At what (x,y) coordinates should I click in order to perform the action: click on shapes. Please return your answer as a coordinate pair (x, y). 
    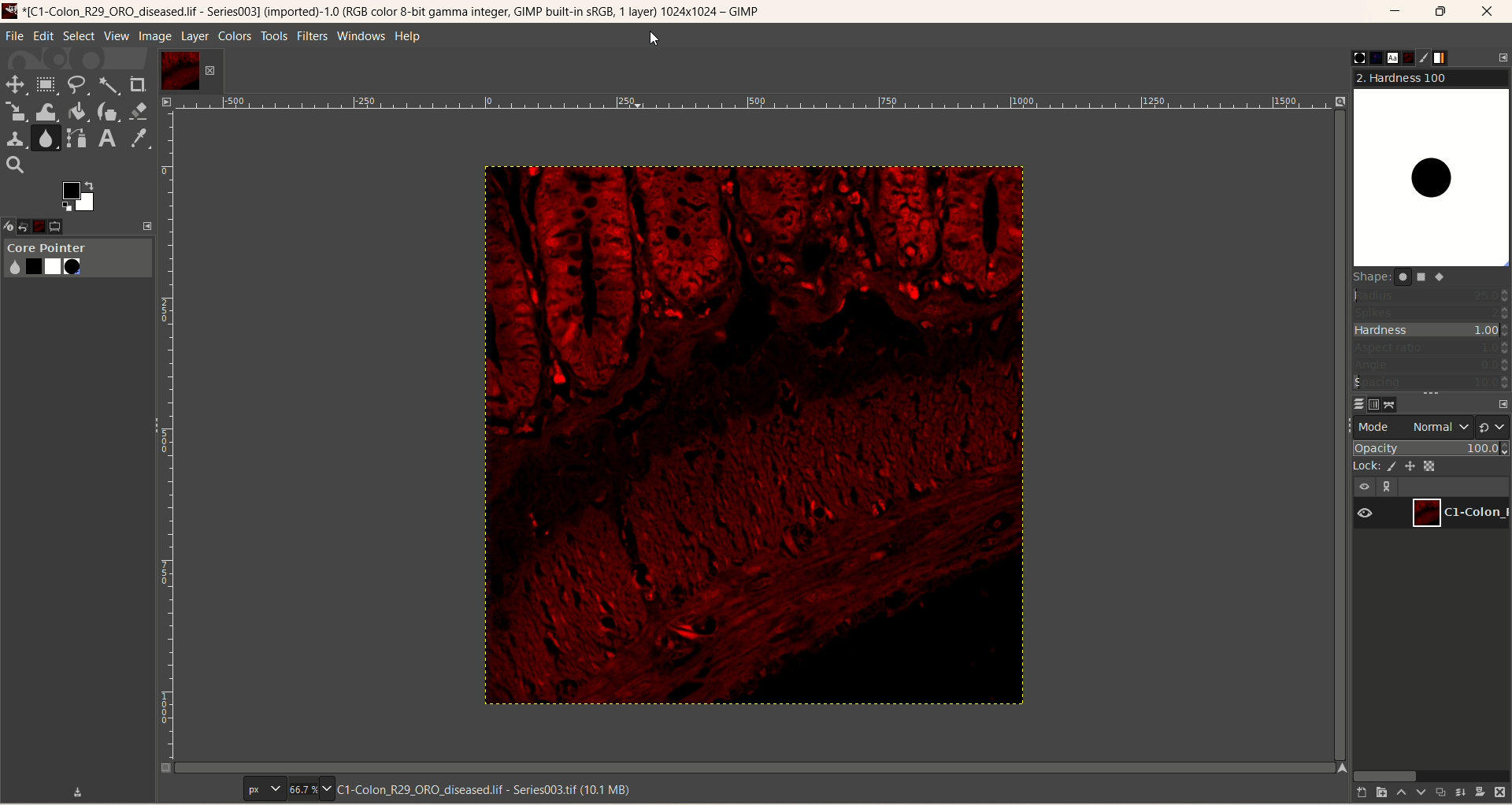
    Looking at the image, I should click on (1408, 280).